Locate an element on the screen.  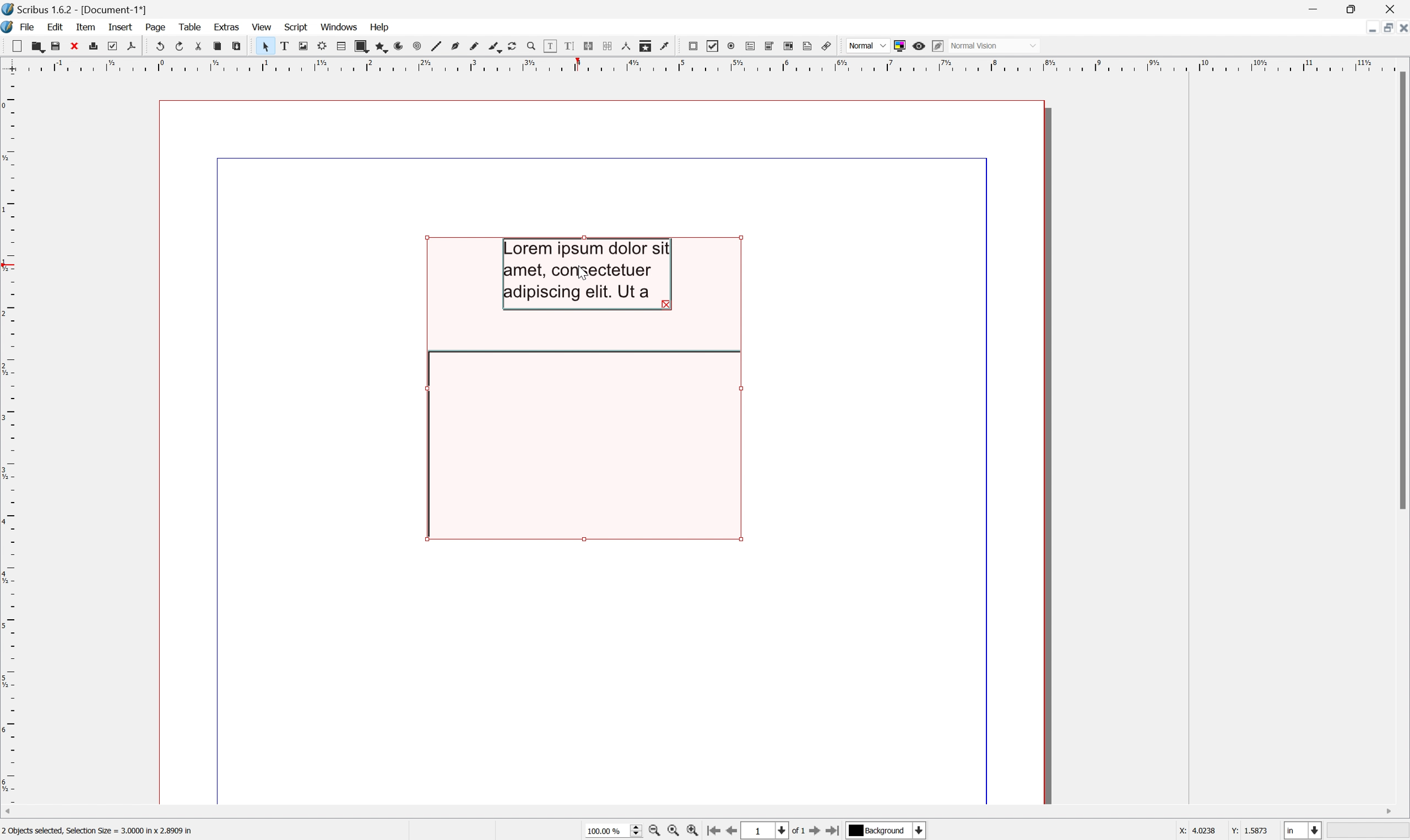
Preflight verifier is located at coordinates (112, 47).